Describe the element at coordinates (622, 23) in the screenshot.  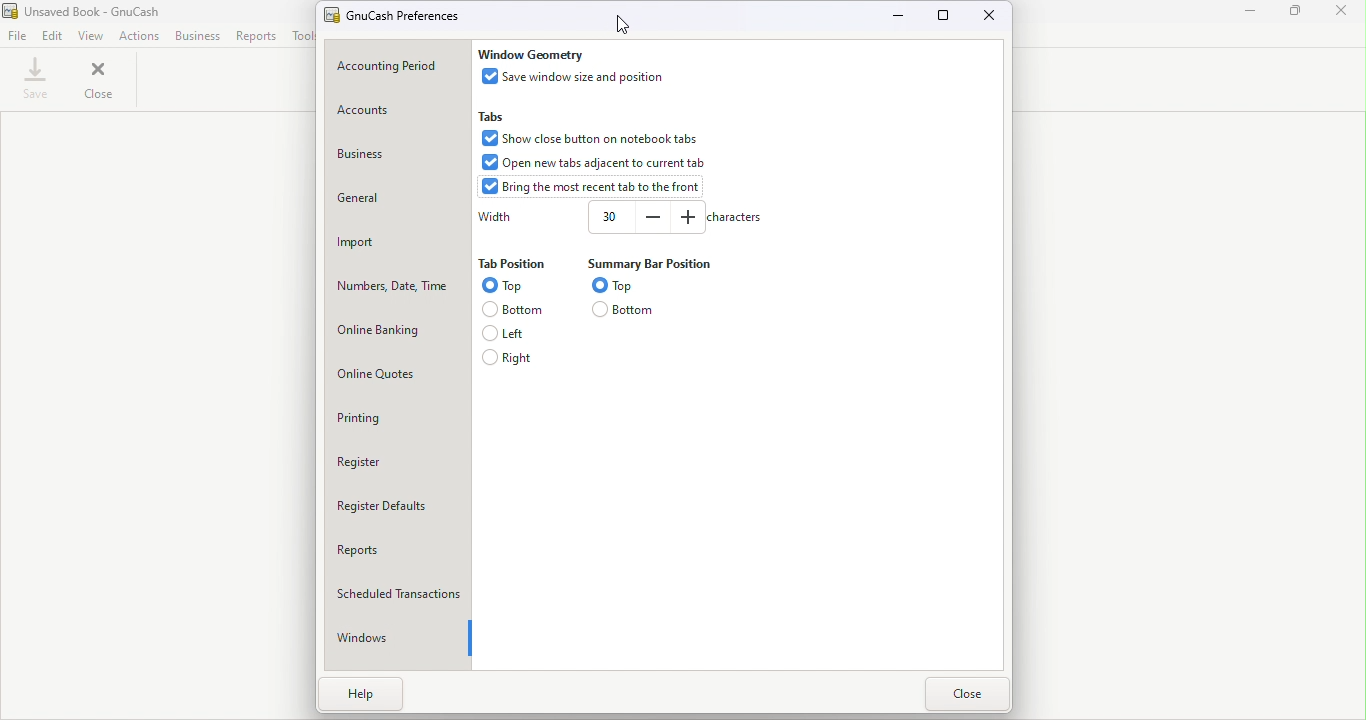
I see `cursor` at that location.